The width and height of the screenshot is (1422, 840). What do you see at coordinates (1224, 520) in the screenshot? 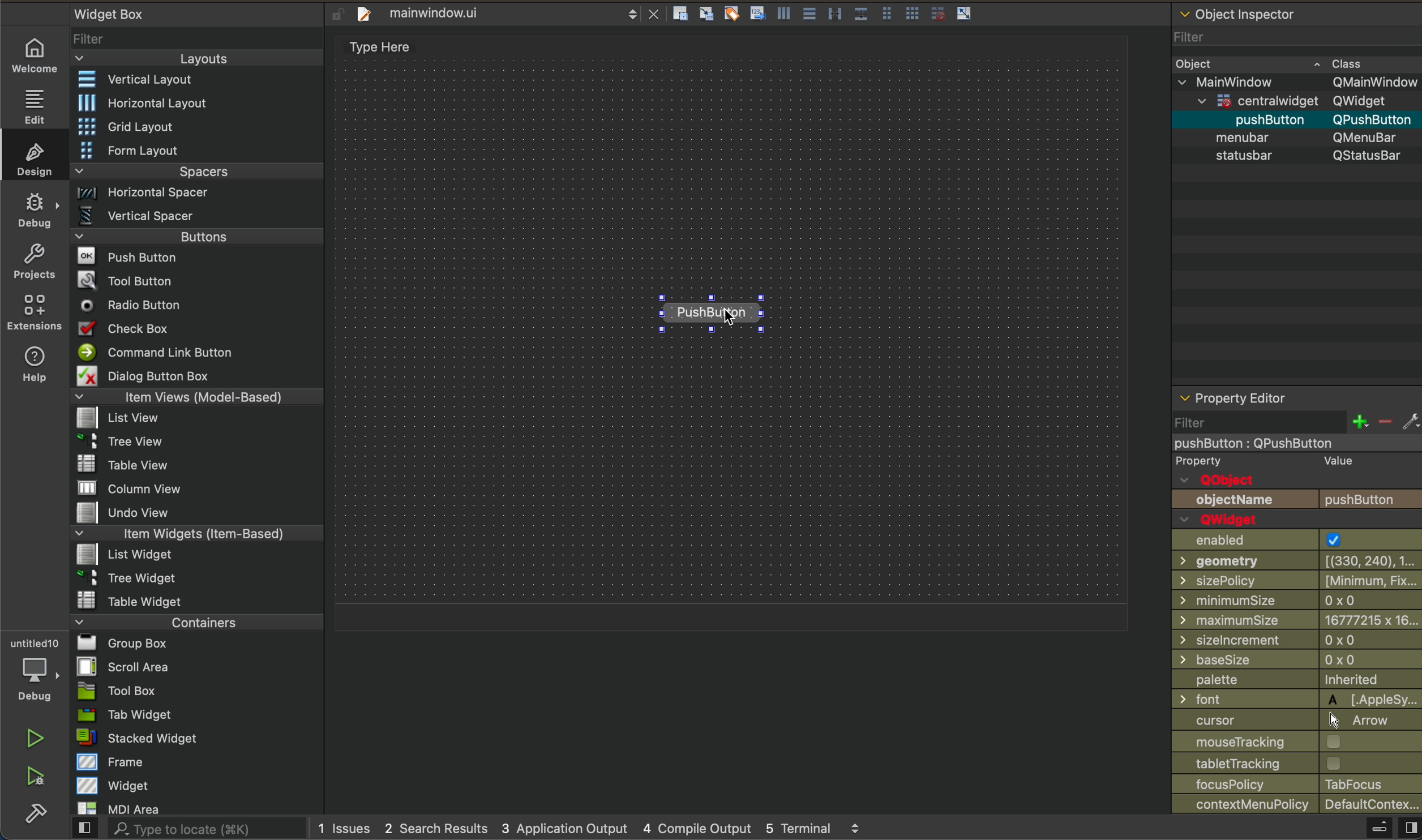
I see `Qwidget` at bounding box center [1224, 520].